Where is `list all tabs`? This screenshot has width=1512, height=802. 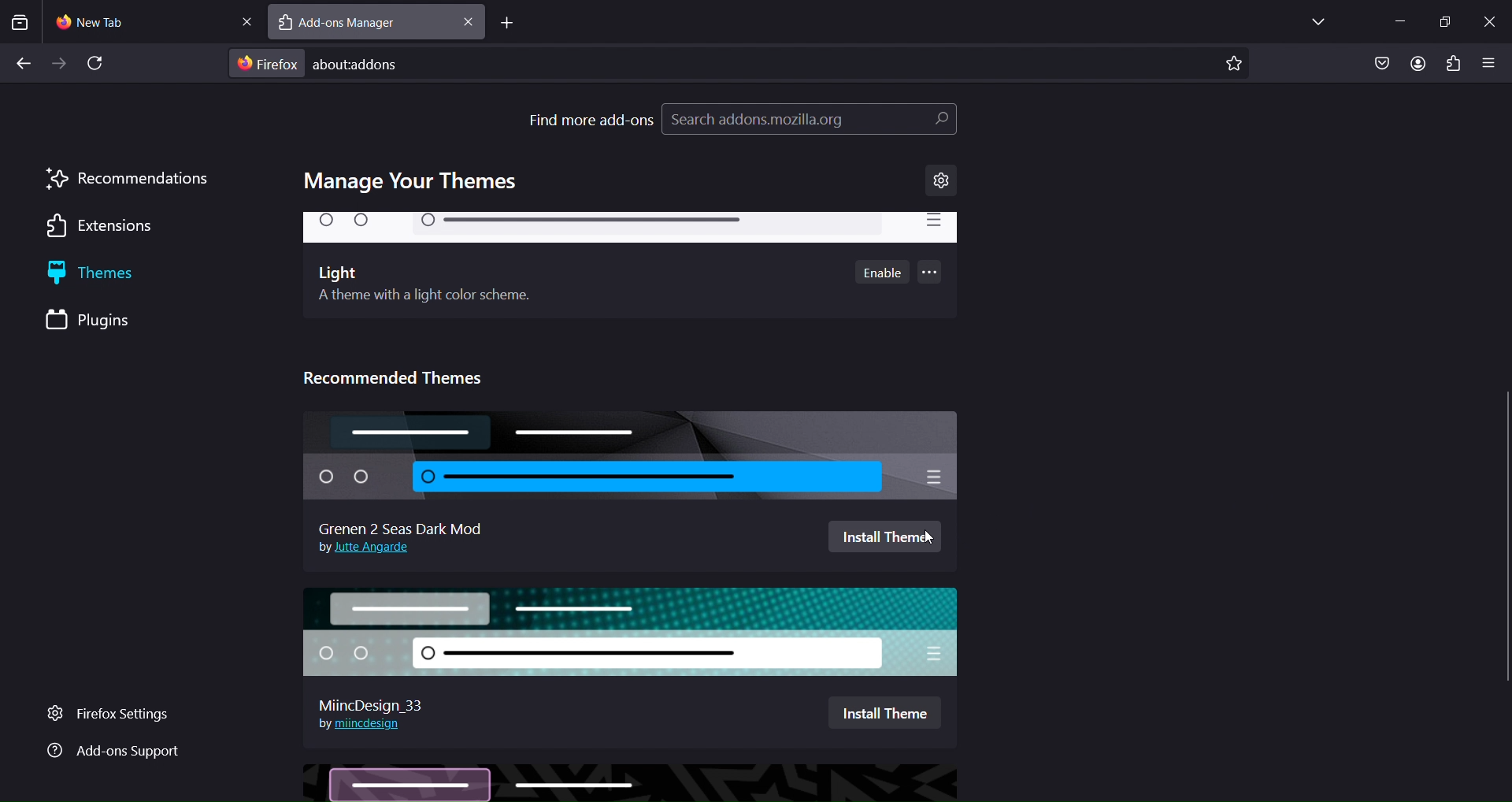 list all tabs is located at coordinates (1314, 20).